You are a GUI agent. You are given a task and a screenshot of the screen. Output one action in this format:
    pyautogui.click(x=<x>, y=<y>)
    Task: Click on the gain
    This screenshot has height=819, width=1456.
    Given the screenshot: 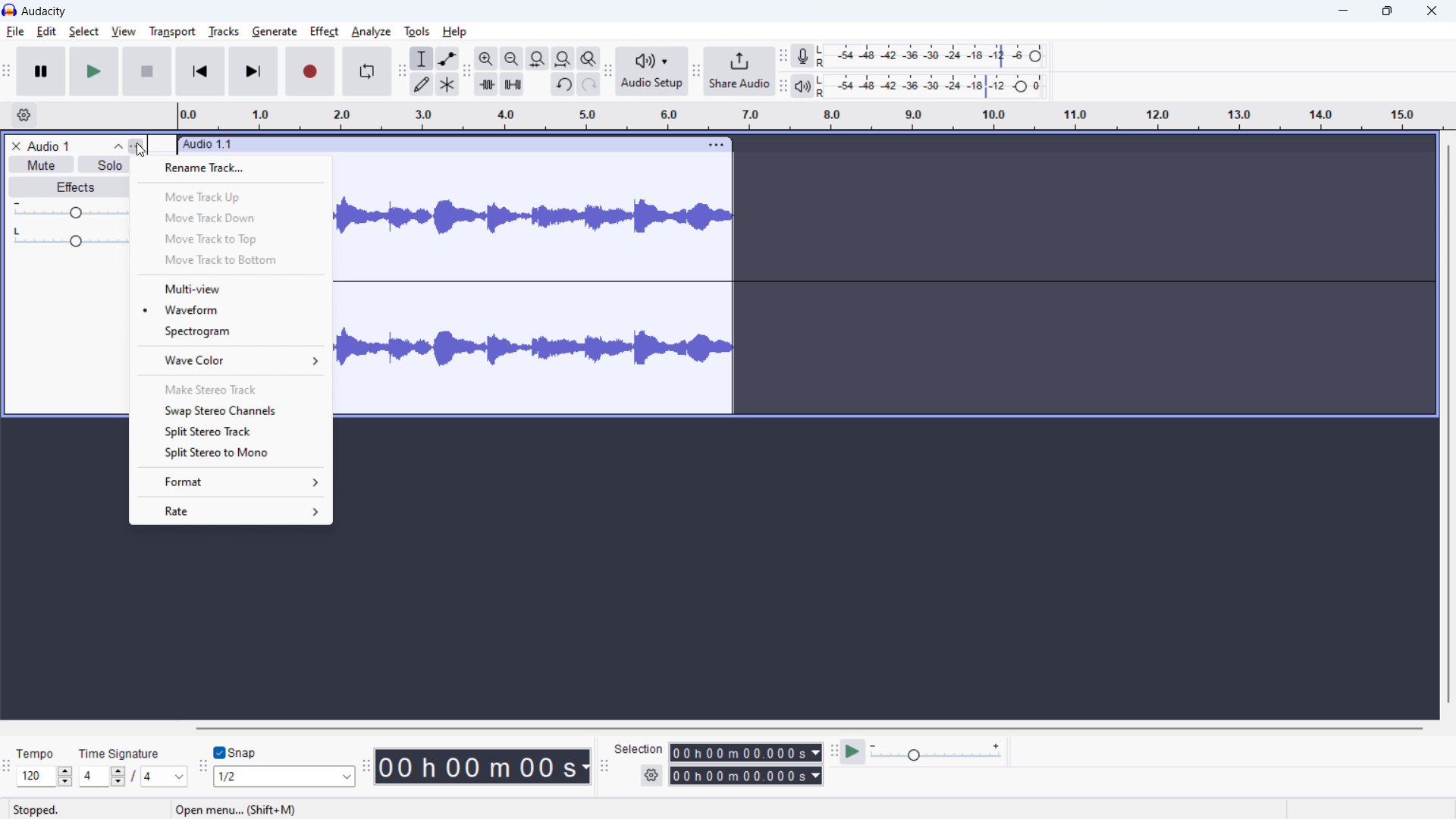 What is the action you would take?
    pyautogui.click(x=71, y=210)
    